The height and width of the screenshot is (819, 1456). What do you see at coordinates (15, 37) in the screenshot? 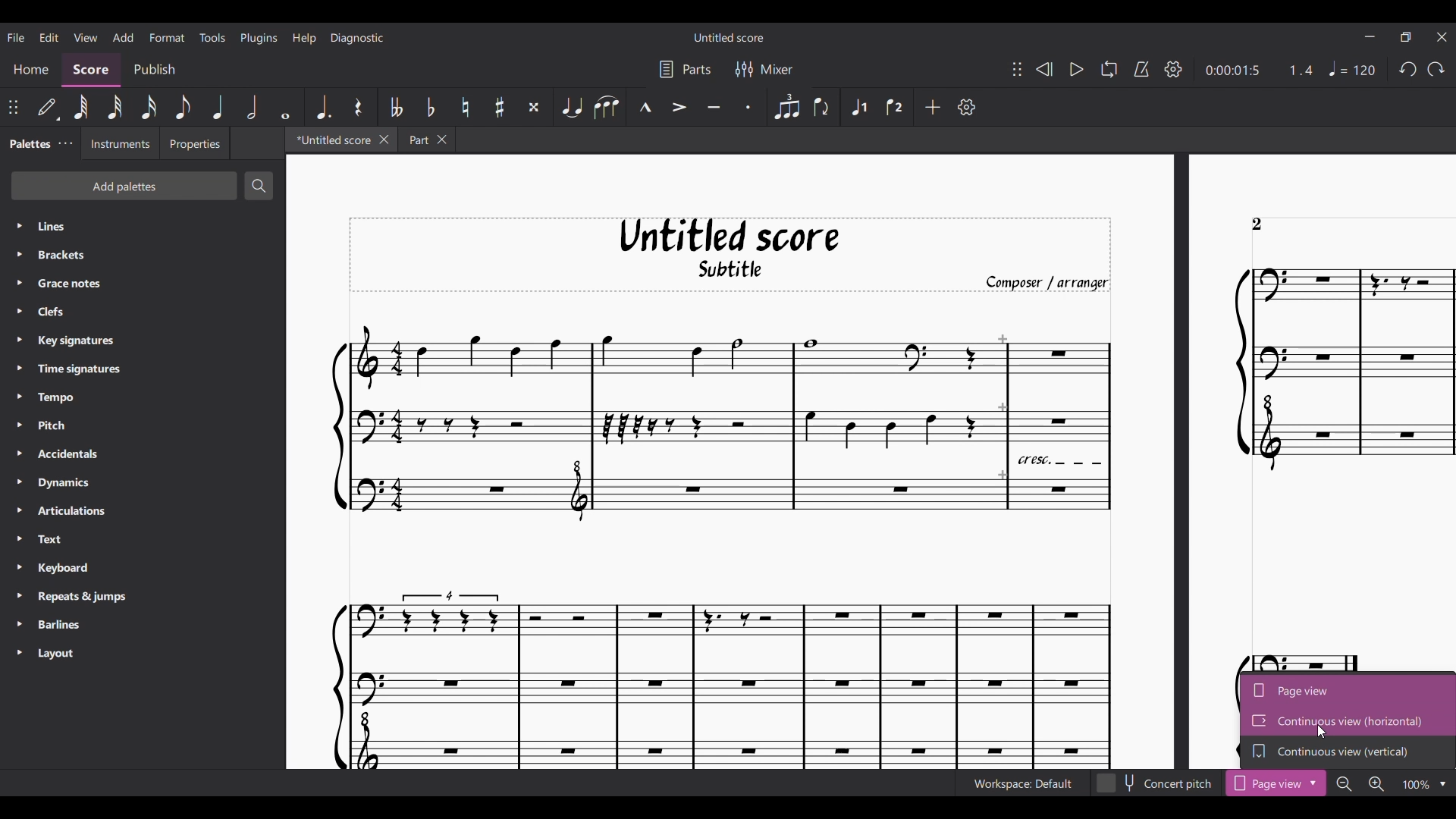
I see `File menu` at bounding box center [15, 37].